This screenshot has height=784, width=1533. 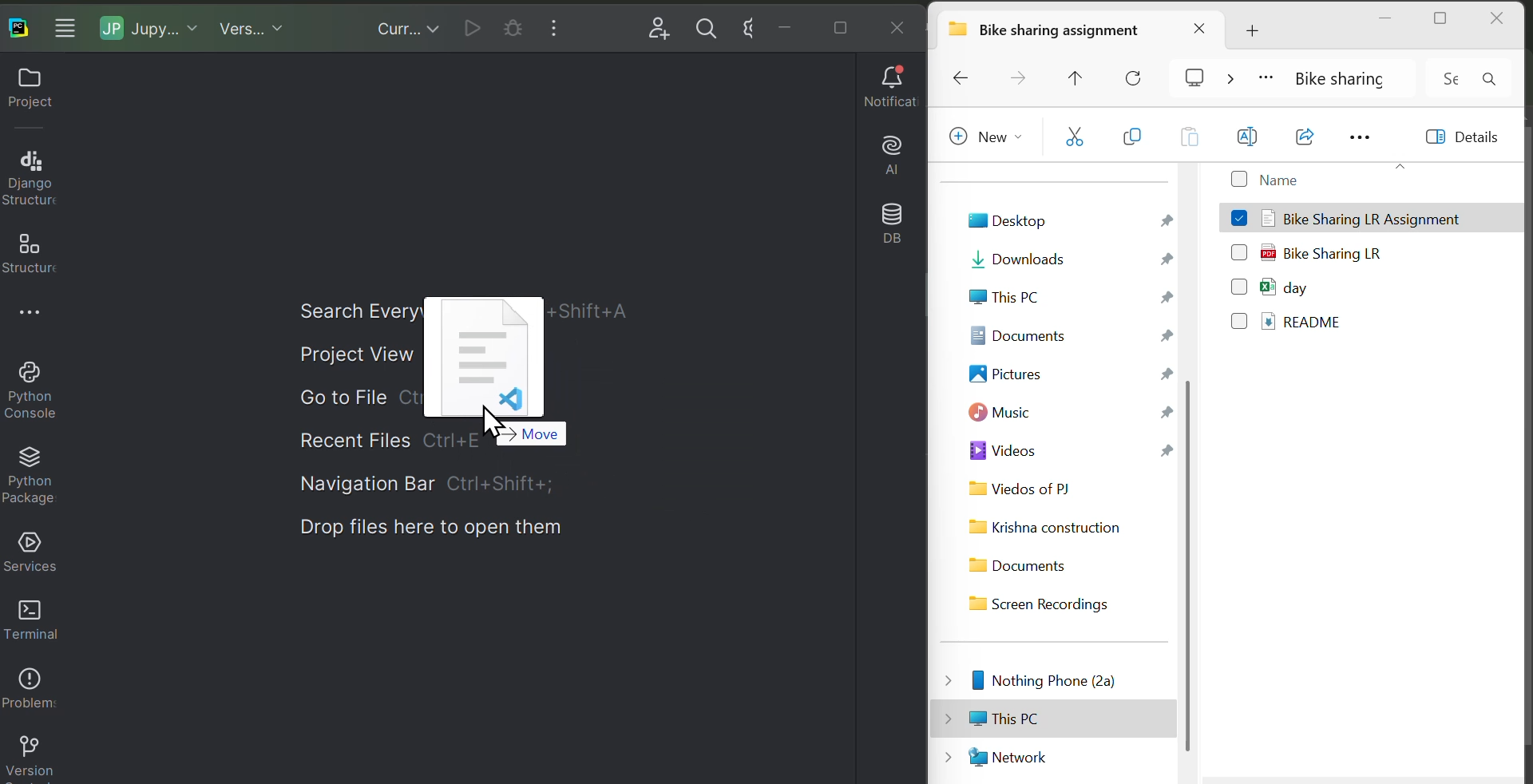 I want to click on Drop files here to open them, so click(x=458, y=532).